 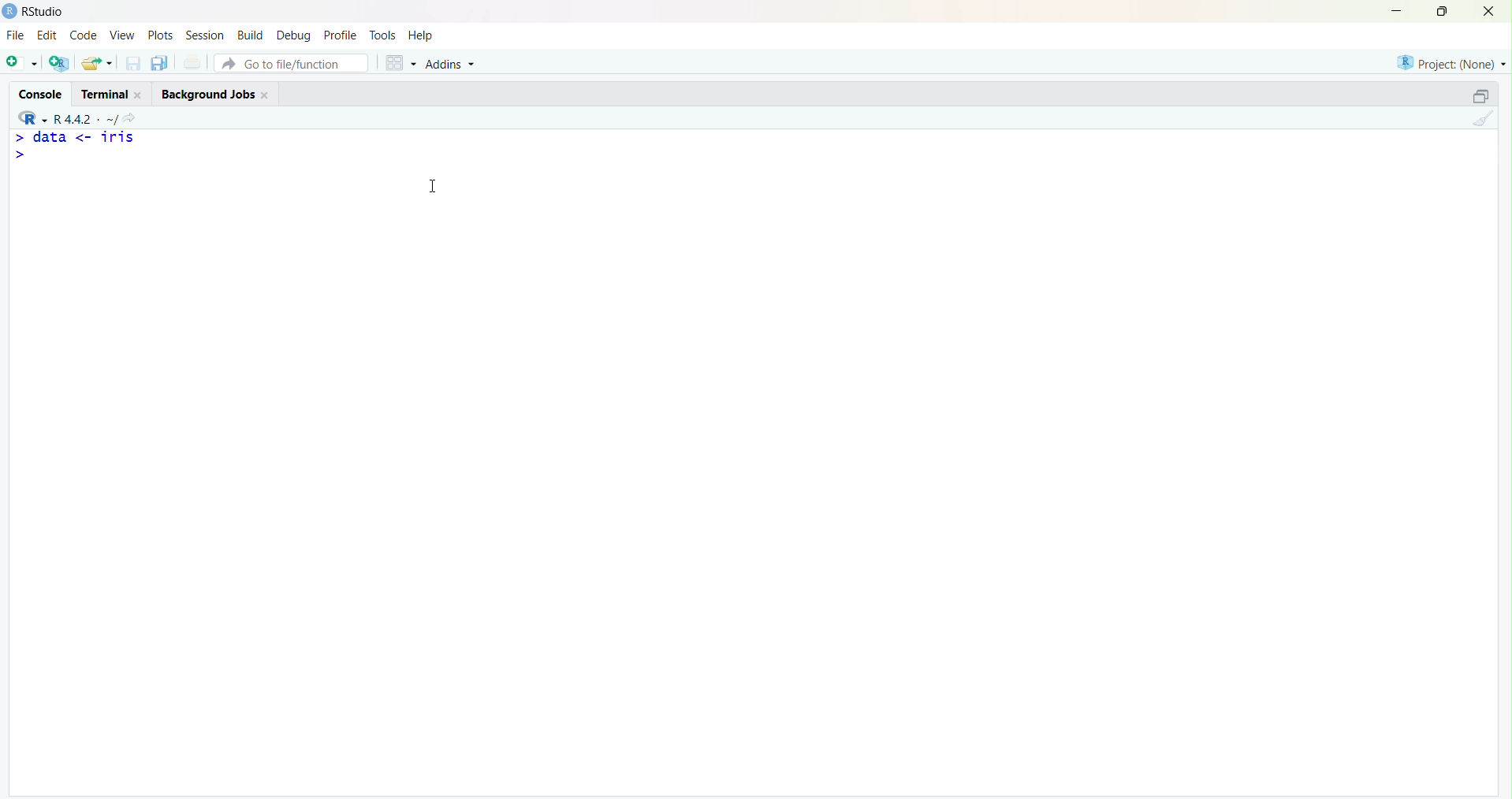 I want to click on Maximize/ Restore, so click(x=1478, y=95).